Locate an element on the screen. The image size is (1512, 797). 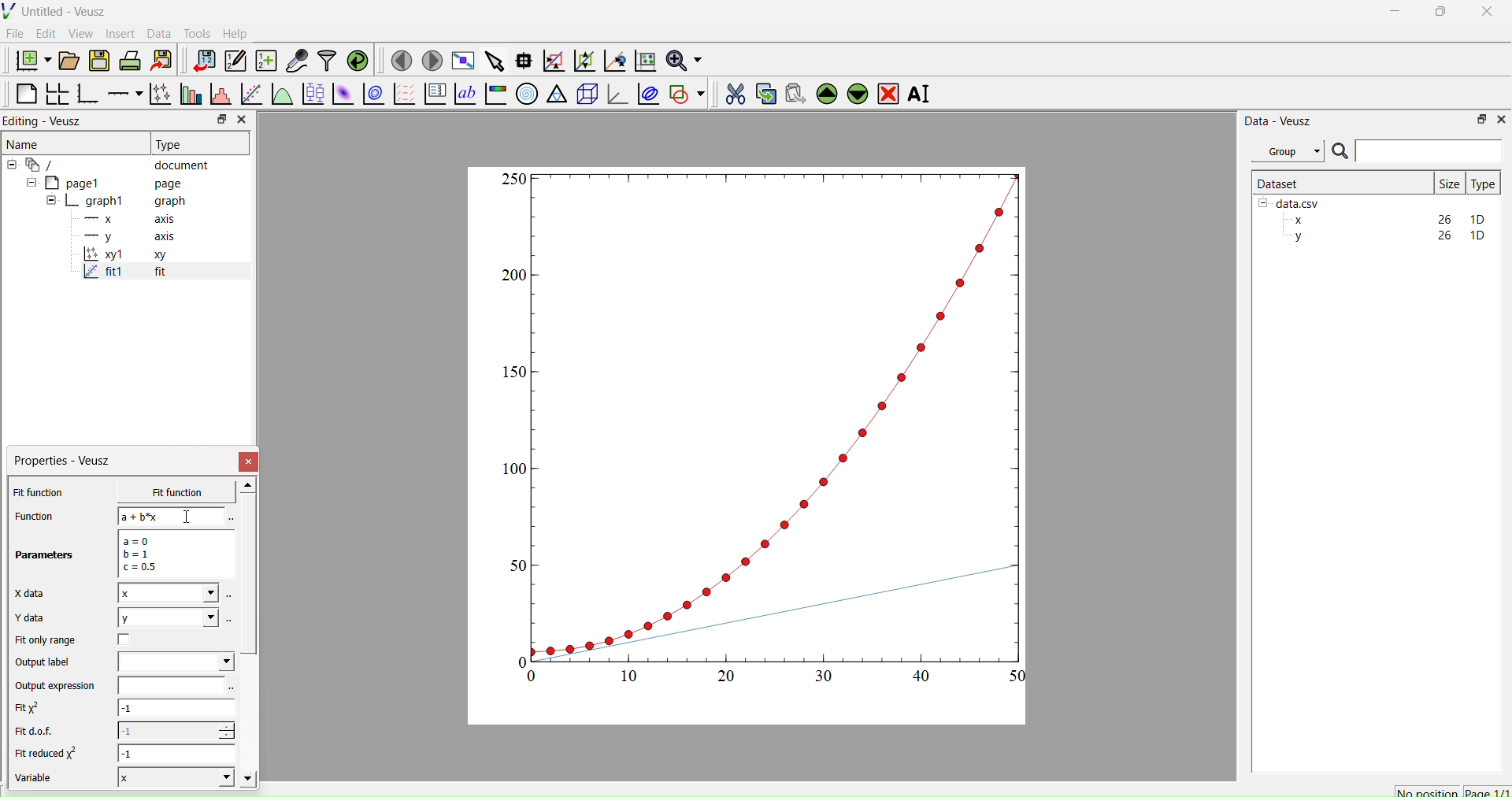
Remove is located at coordinates (888, 92).